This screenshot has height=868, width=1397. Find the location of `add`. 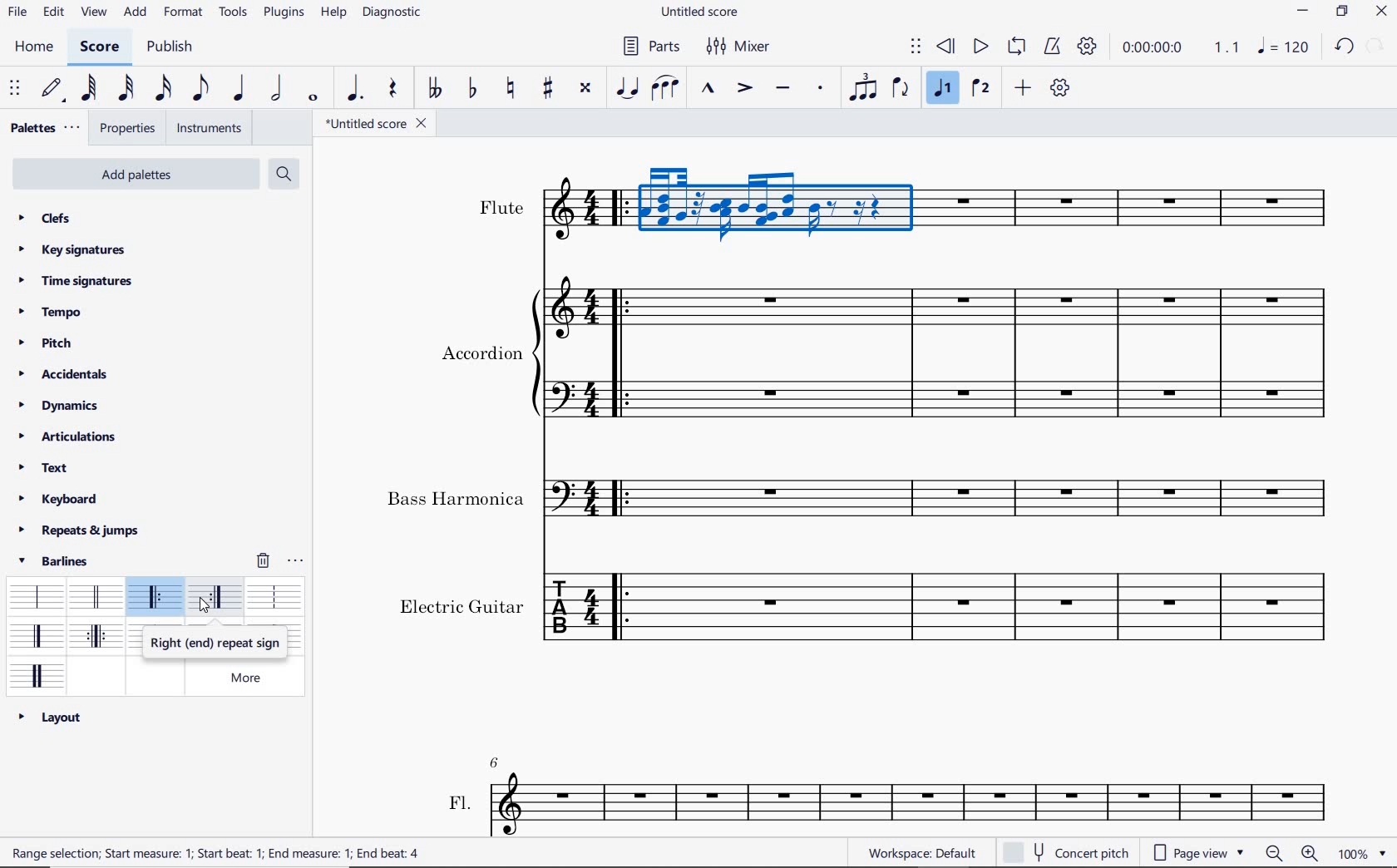

add is located at coordinates (1023, 87).